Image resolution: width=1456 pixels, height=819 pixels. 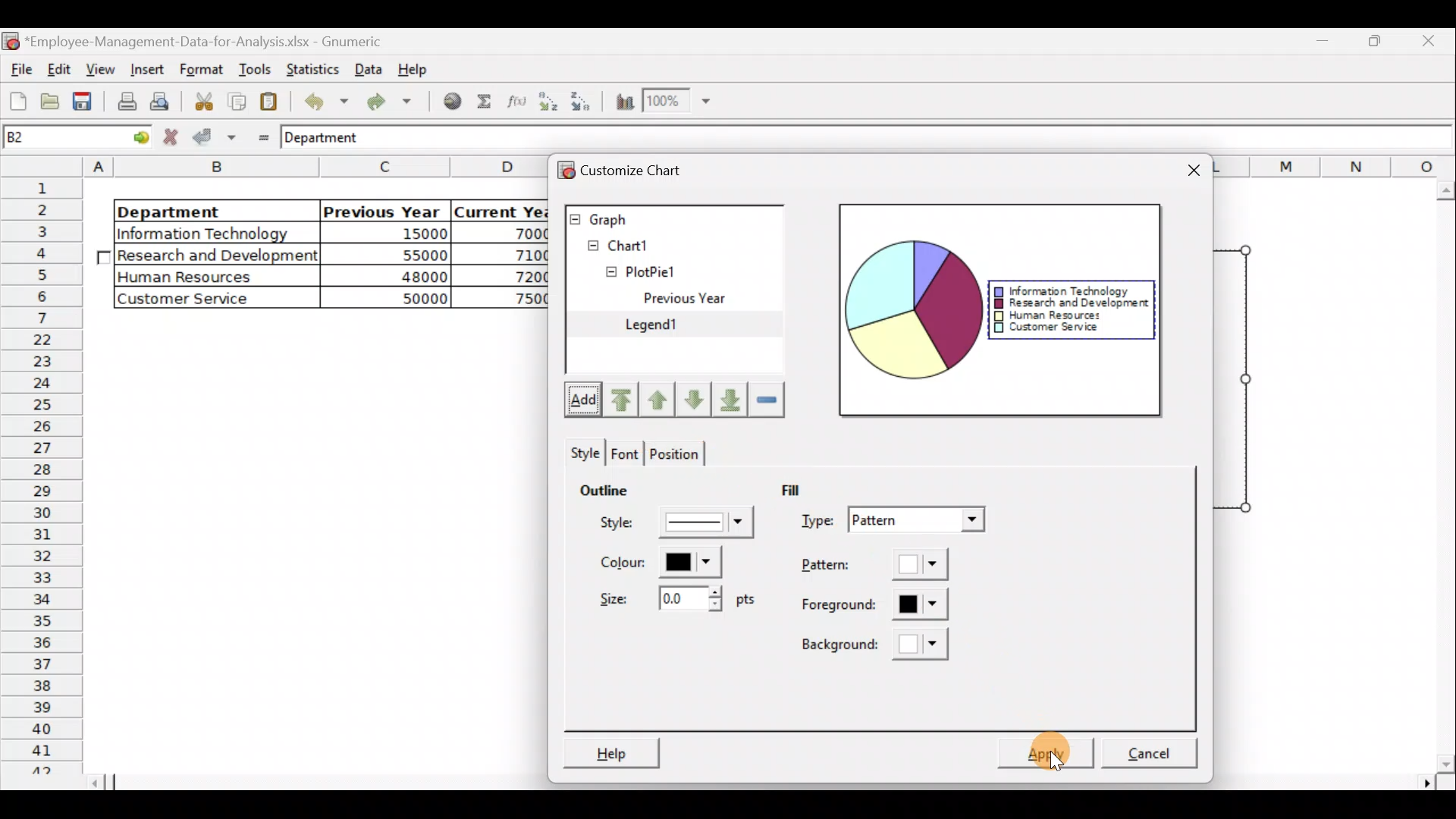 I want to click on Move downward, so click(x=726, y=398).